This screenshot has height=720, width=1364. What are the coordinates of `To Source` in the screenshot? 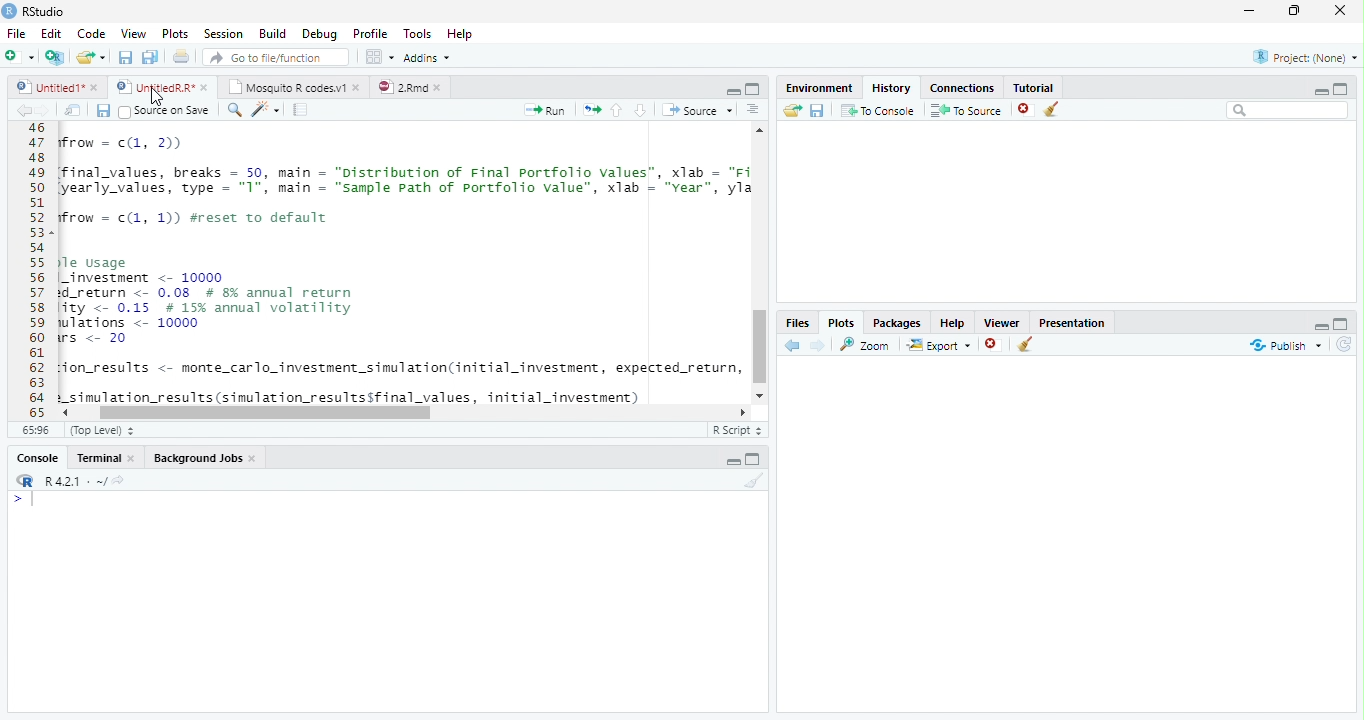 It's located at (966, 110).